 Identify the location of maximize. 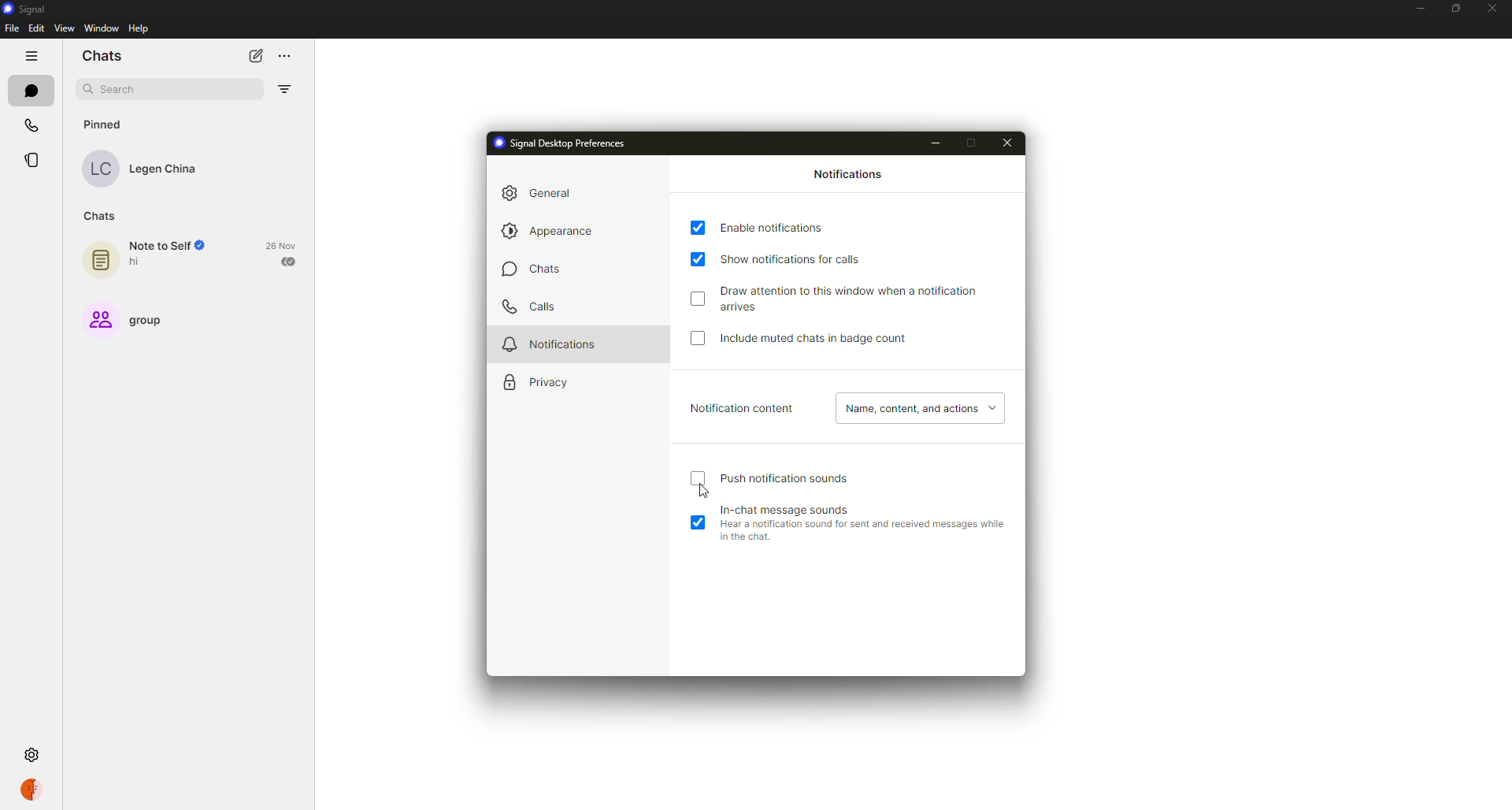
(976, 139).